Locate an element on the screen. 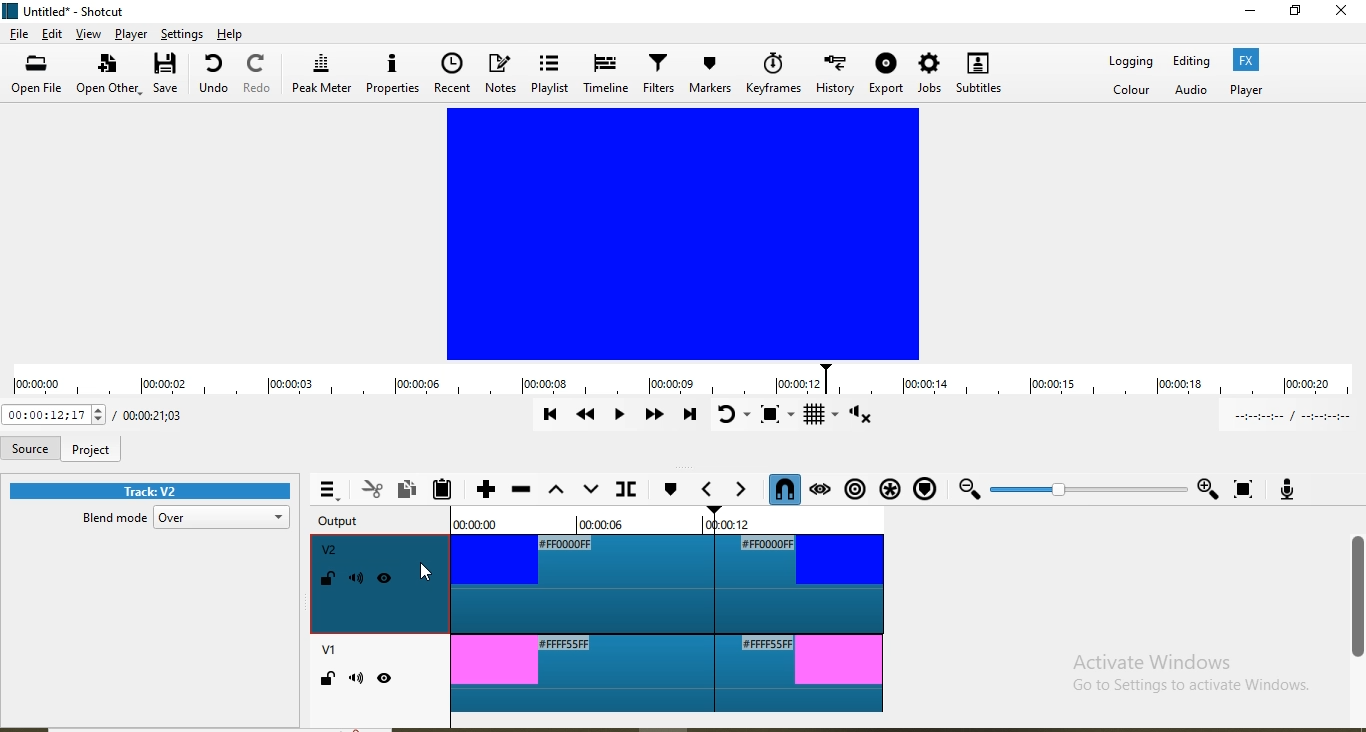 The height and width of the screenshot is (732, 1366). Append is located at coordinates (486, 489).